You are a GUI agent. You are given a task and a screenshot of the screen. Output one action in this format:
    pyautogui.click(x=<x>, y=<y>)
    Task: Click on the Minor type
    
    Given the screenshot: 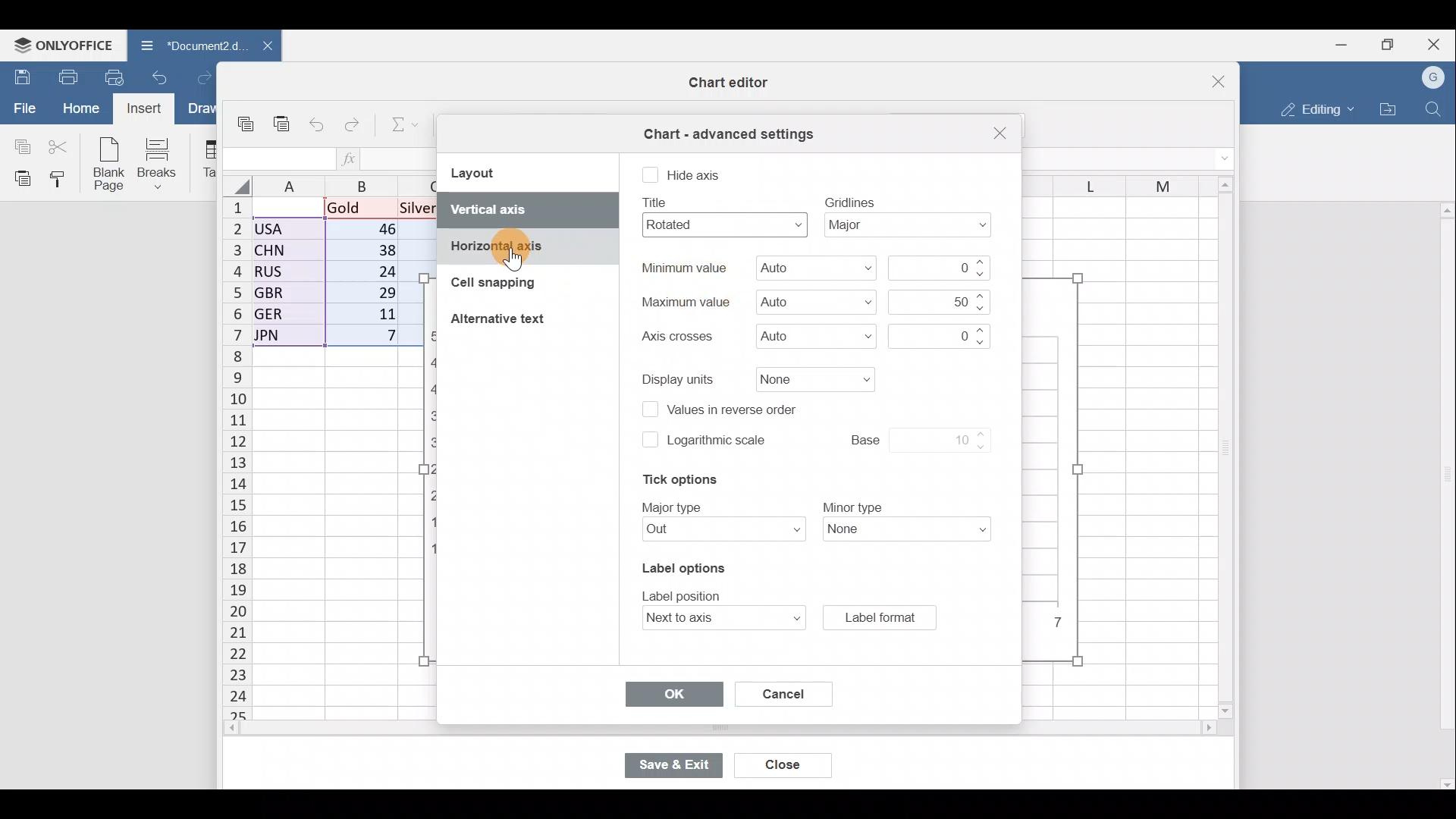 What is the action you would take?
    pyautogui.click(x=915, y=530)
    